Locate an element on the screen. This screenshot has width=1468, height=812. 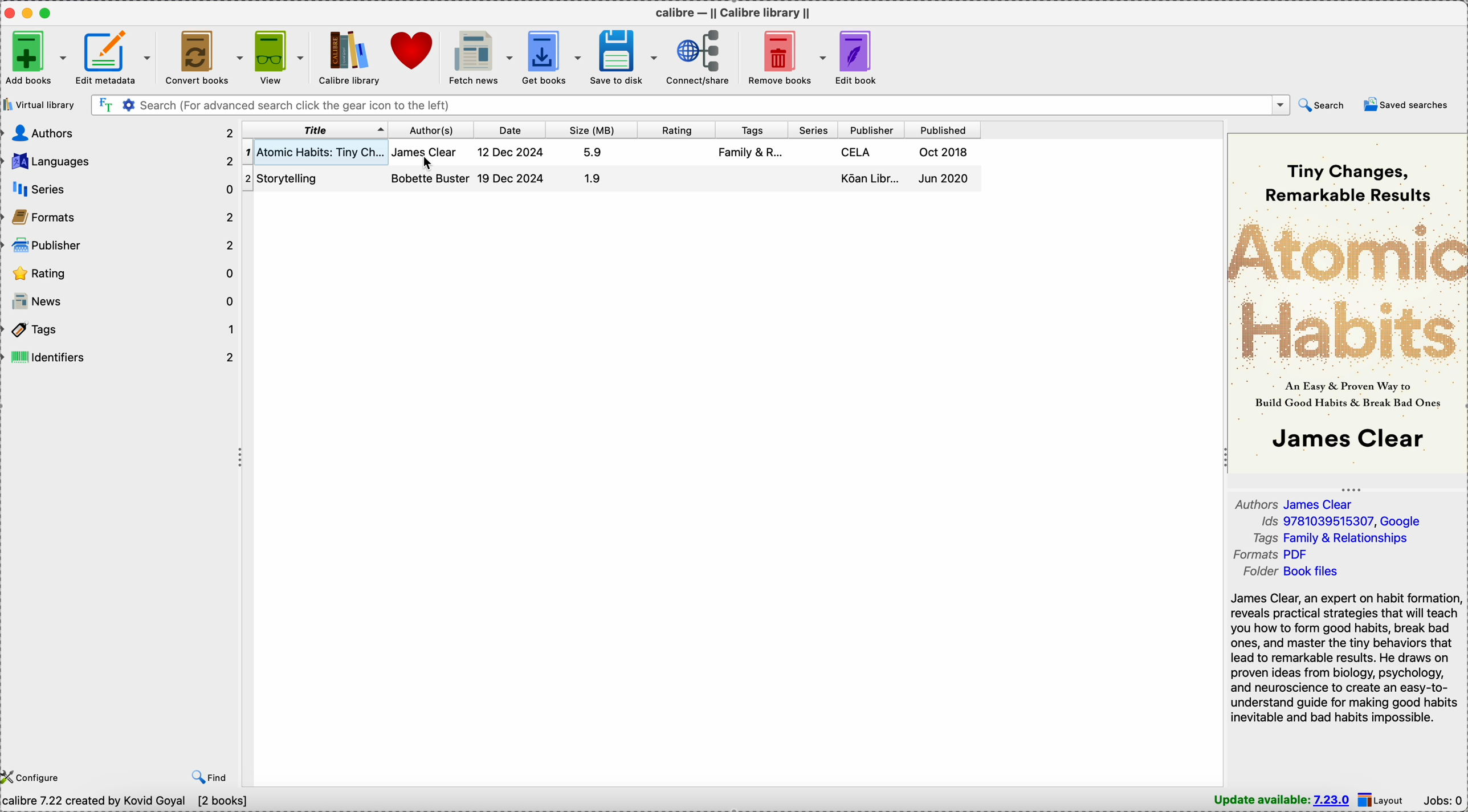
Calibre - || Calibre library || is located at coordinates (737, 12).